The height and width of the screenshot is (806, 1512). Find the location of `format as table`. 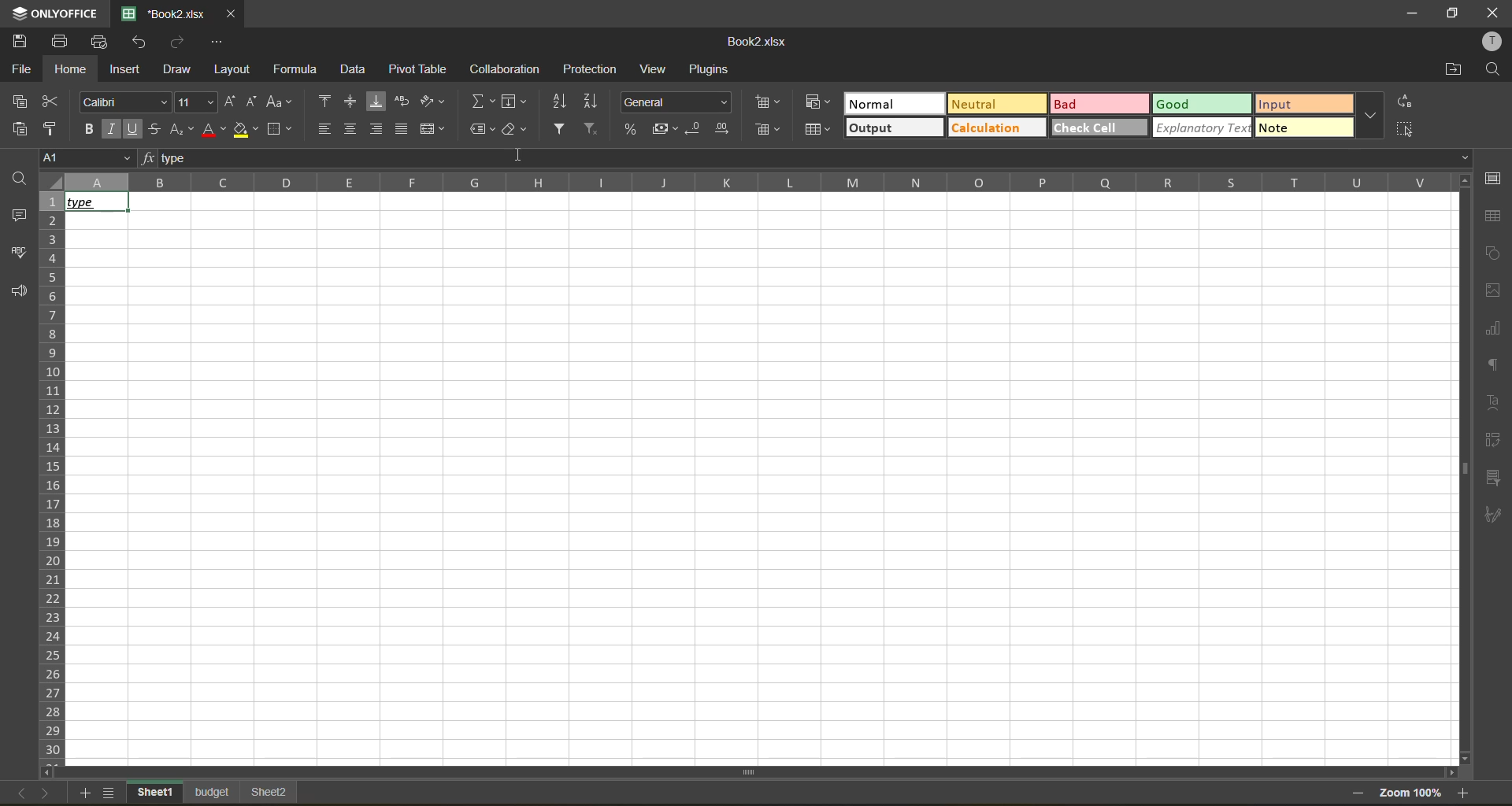

format as table is located at coordinates (819, 131).